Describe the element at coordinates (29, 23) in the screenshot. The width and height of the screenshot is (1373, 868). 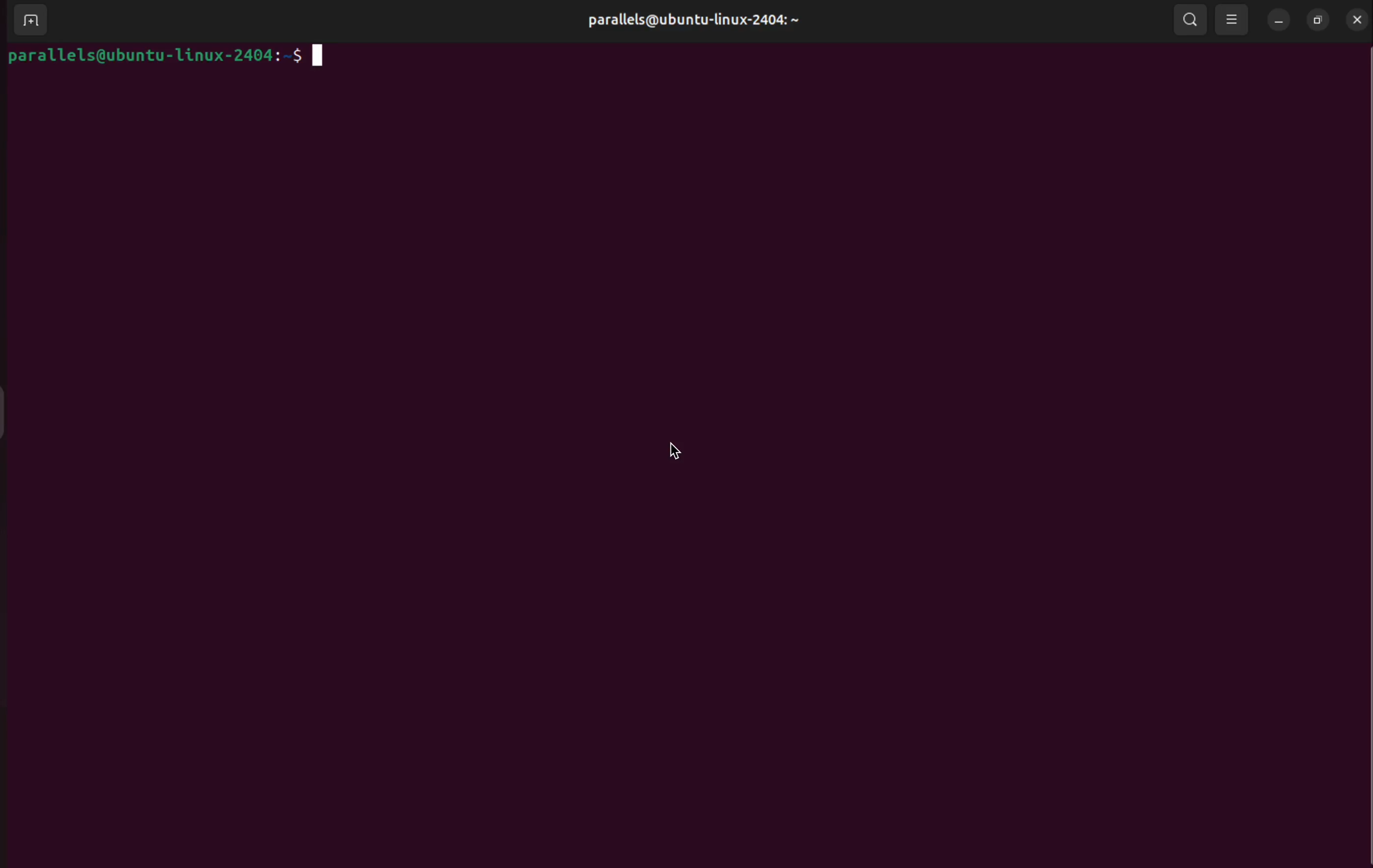
I see `add terminal` at that location.